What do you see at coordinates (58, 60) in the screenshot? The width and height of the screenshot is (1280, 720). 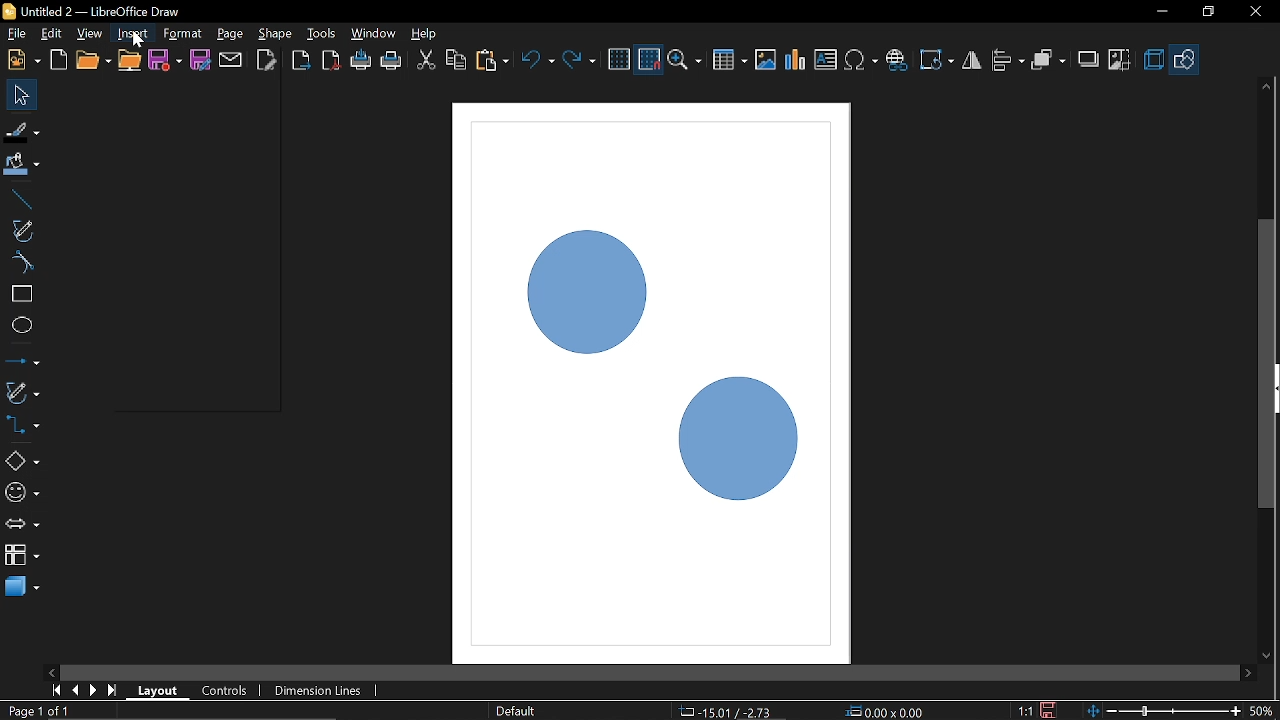 I see `Open template manager` at bounding box center [58, 60].